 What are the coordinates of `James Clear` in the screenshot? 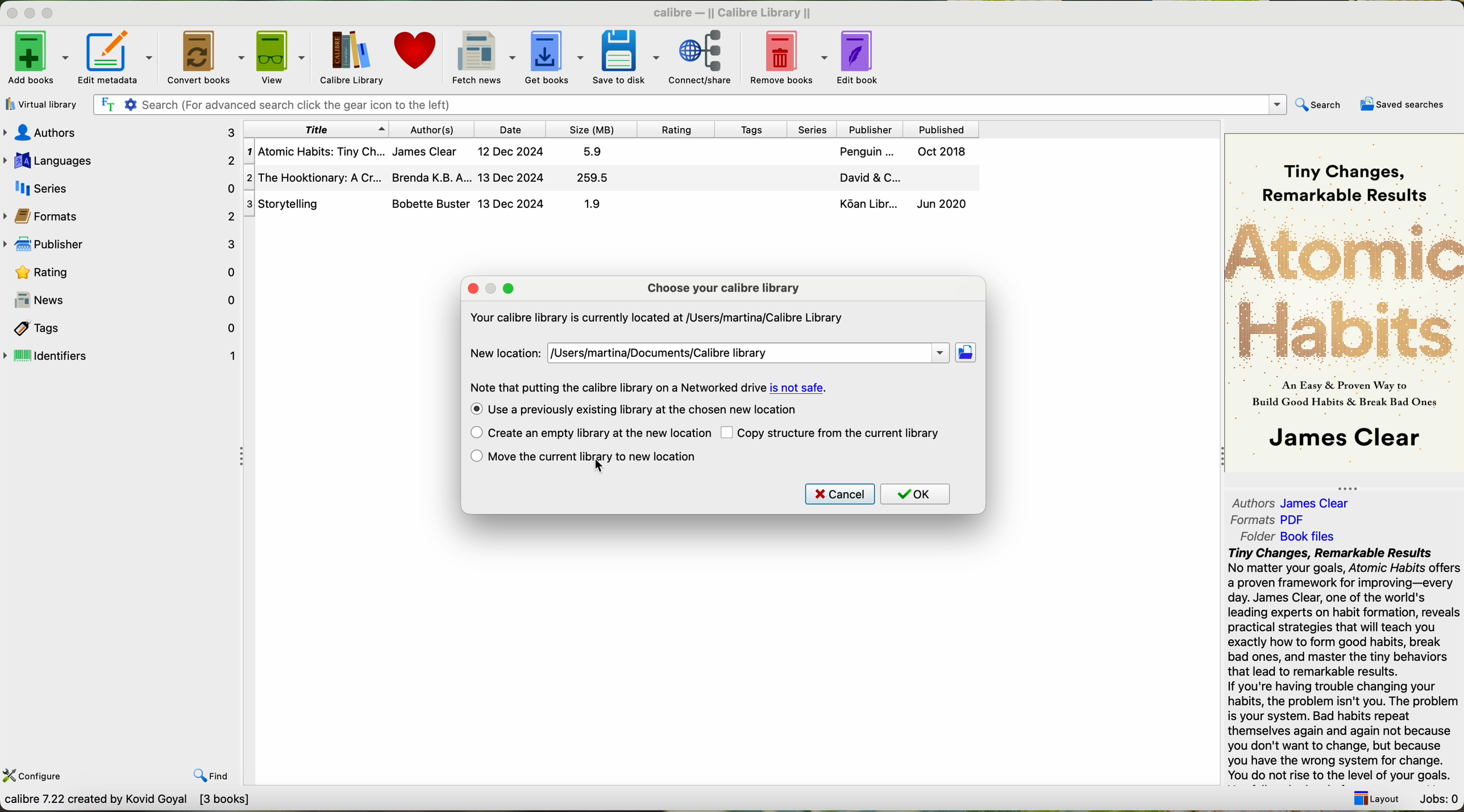 It's located at (1341, 440).